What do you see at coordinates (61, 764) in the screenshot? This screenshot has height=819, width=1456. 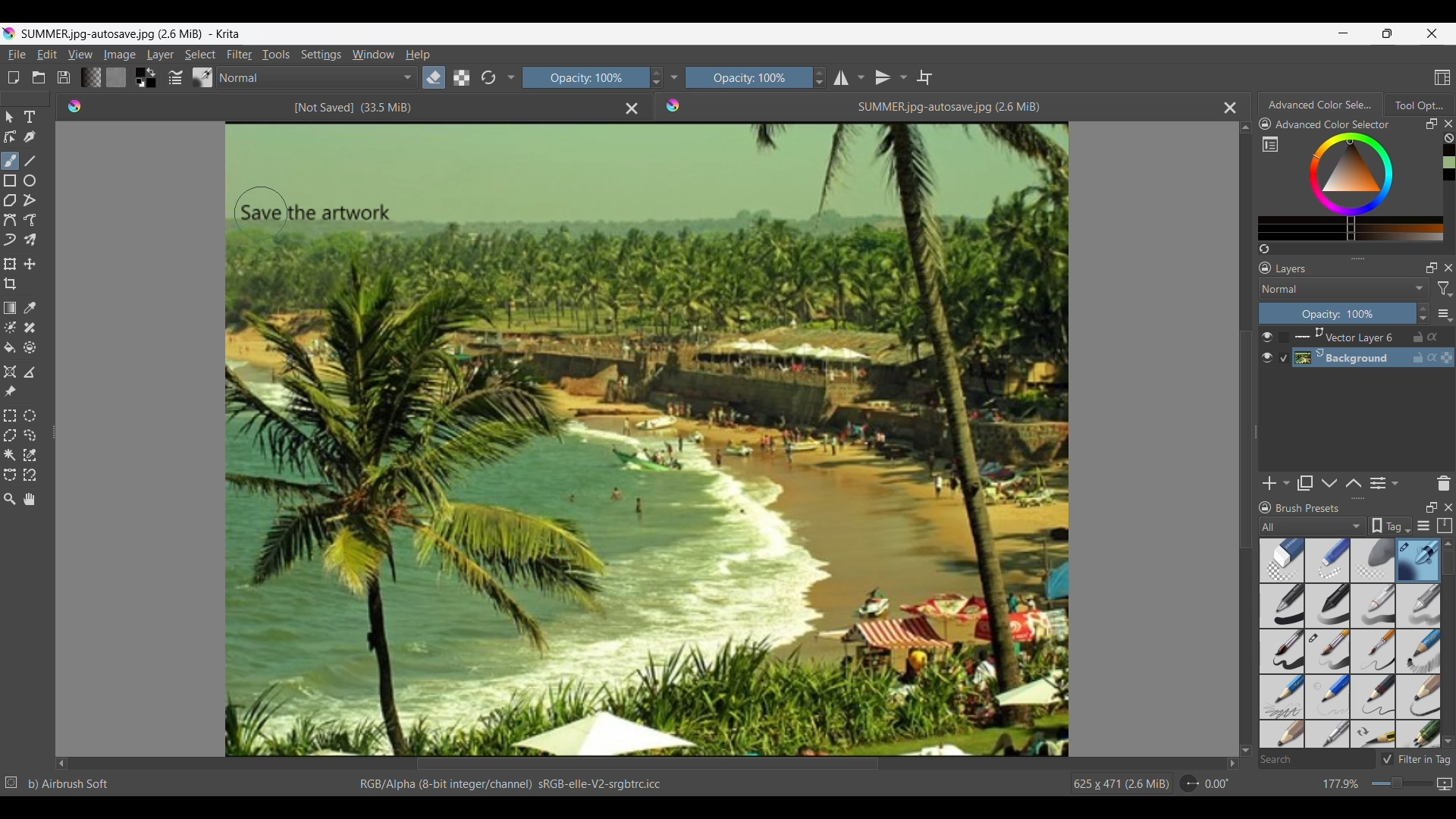 I see `Quick slide to left` at bounding box center [61, 764].